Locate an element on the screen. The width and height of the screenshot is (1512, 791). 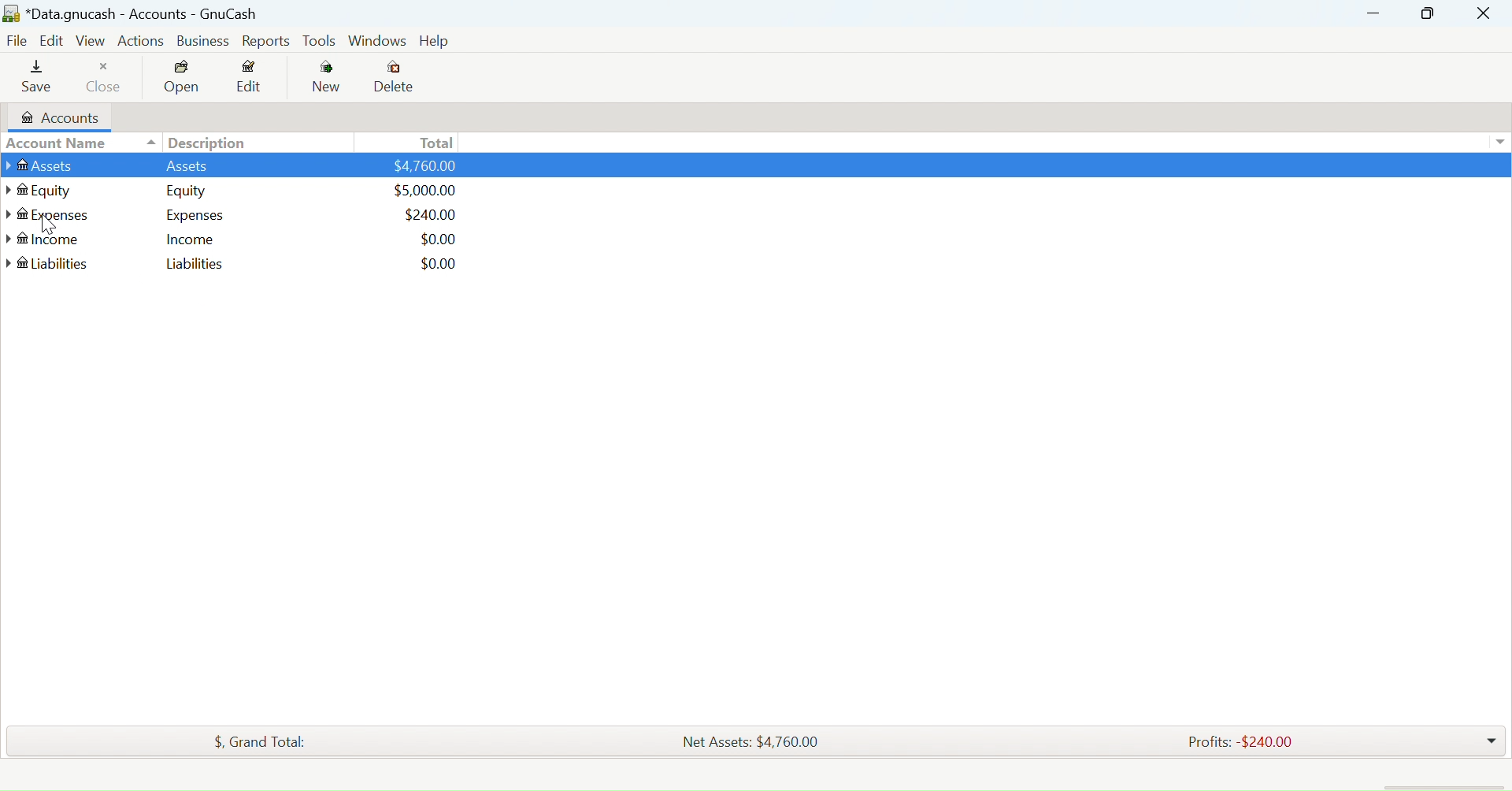
Account Name is located at coordinates (57, 143).